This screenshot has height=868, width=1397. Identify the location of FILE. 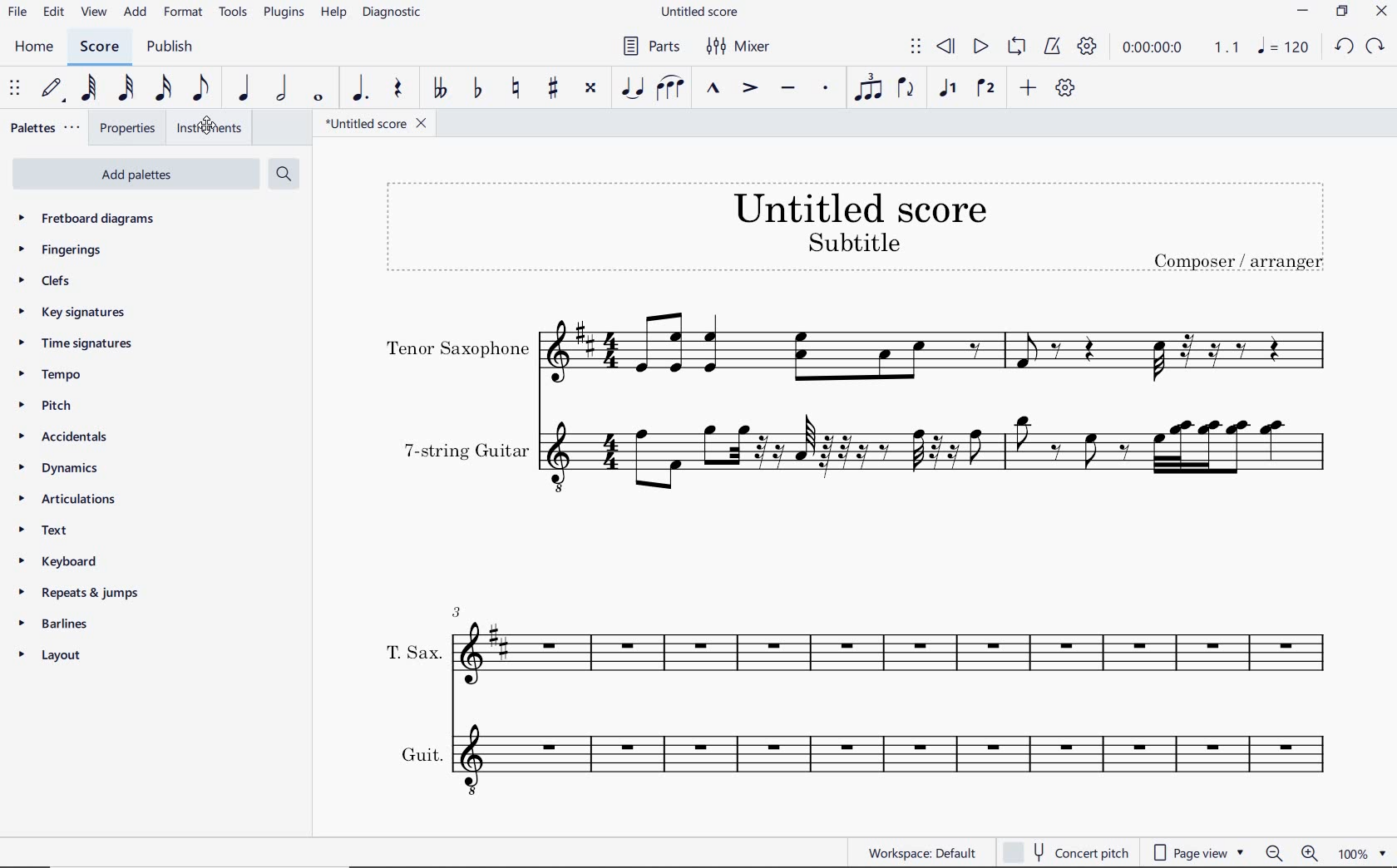
(17, 11).